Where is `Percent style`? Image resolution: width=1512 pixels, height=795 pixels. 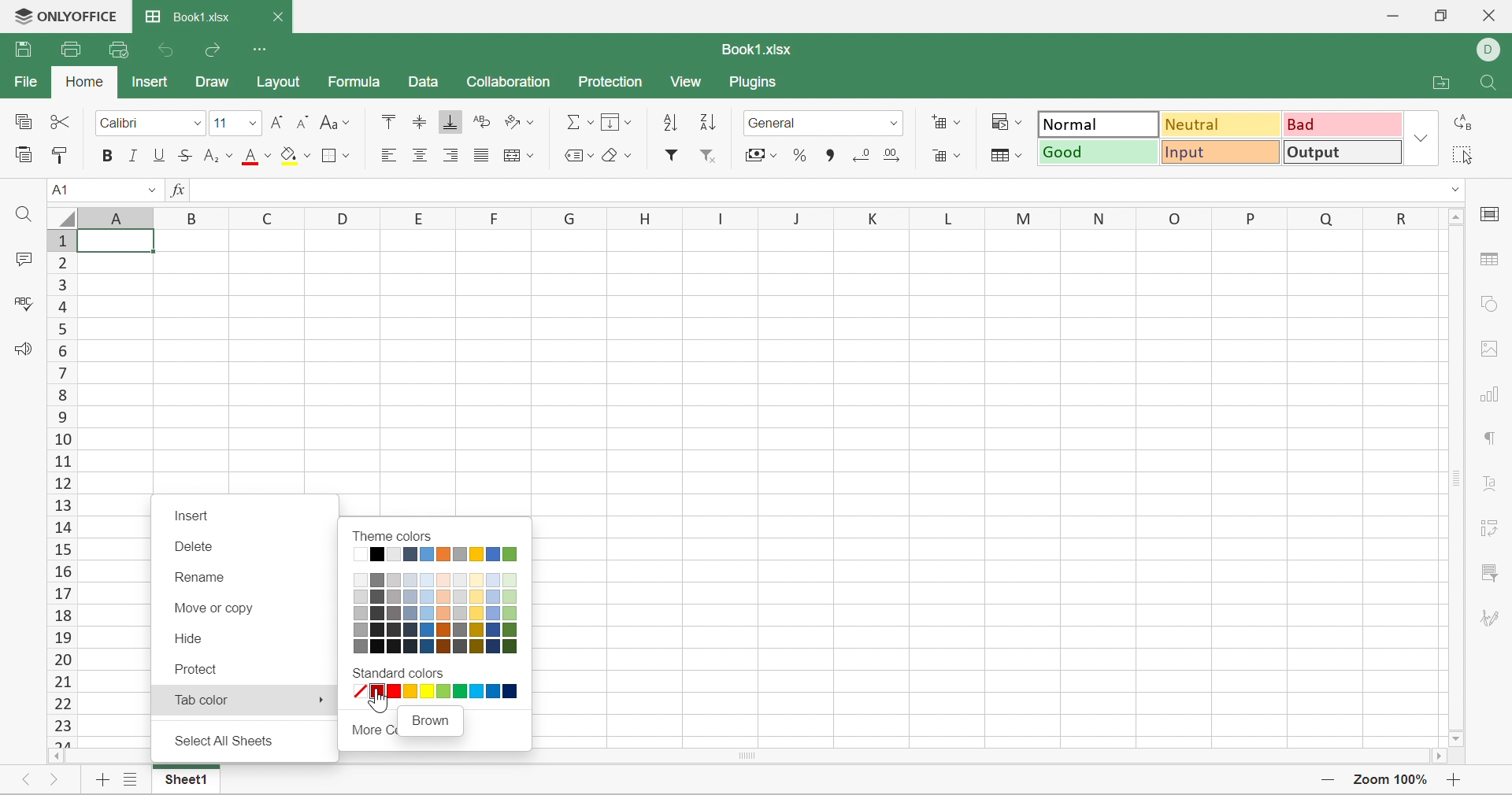 Percent style is located at coordinates (801, 157).